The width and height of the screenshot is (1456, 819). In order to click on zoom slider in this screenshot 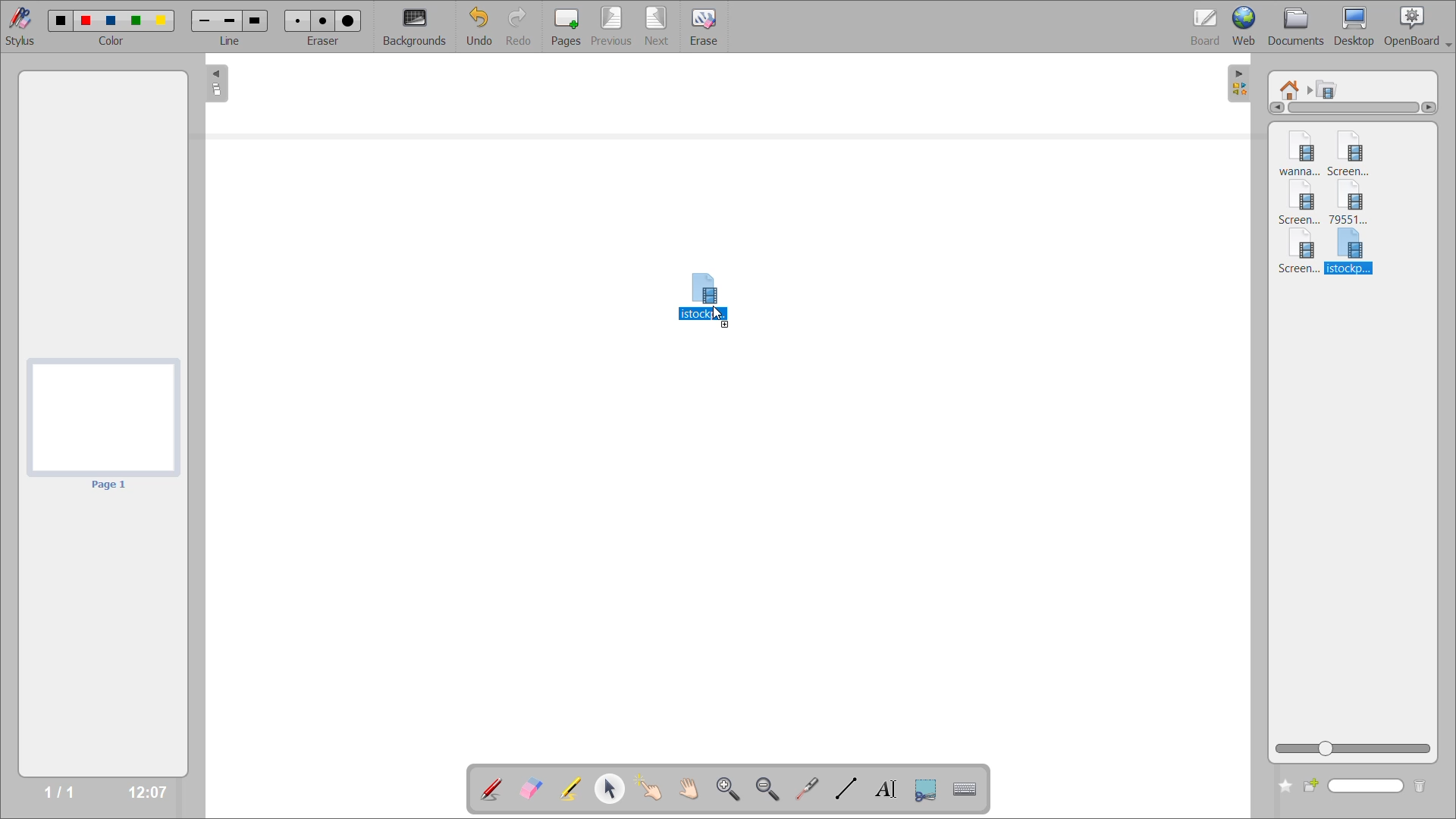, I will do `click(1356, 749)`.